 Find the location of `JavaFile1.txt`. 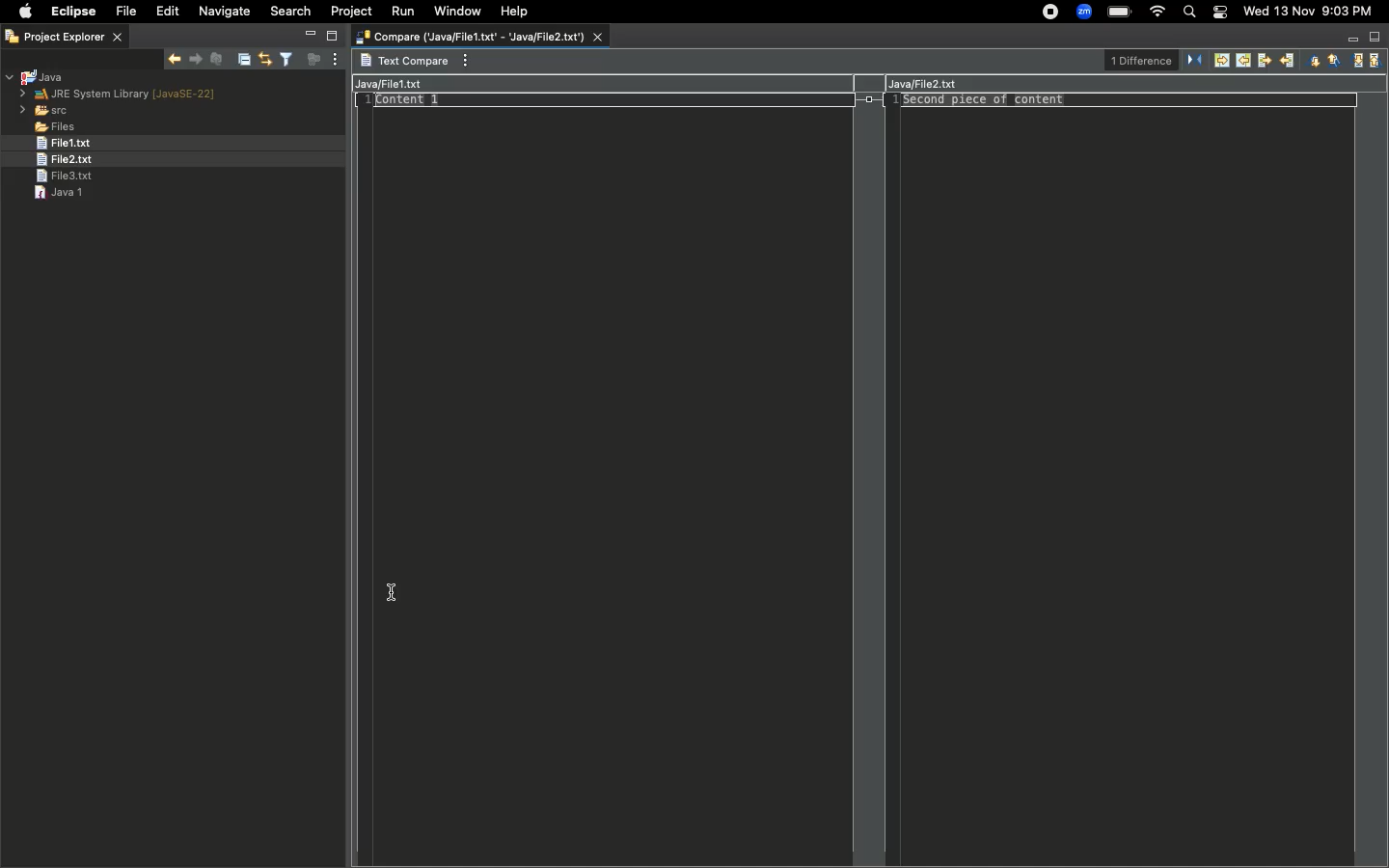

JavaFile1.txt is located at coordinates (396, 84).